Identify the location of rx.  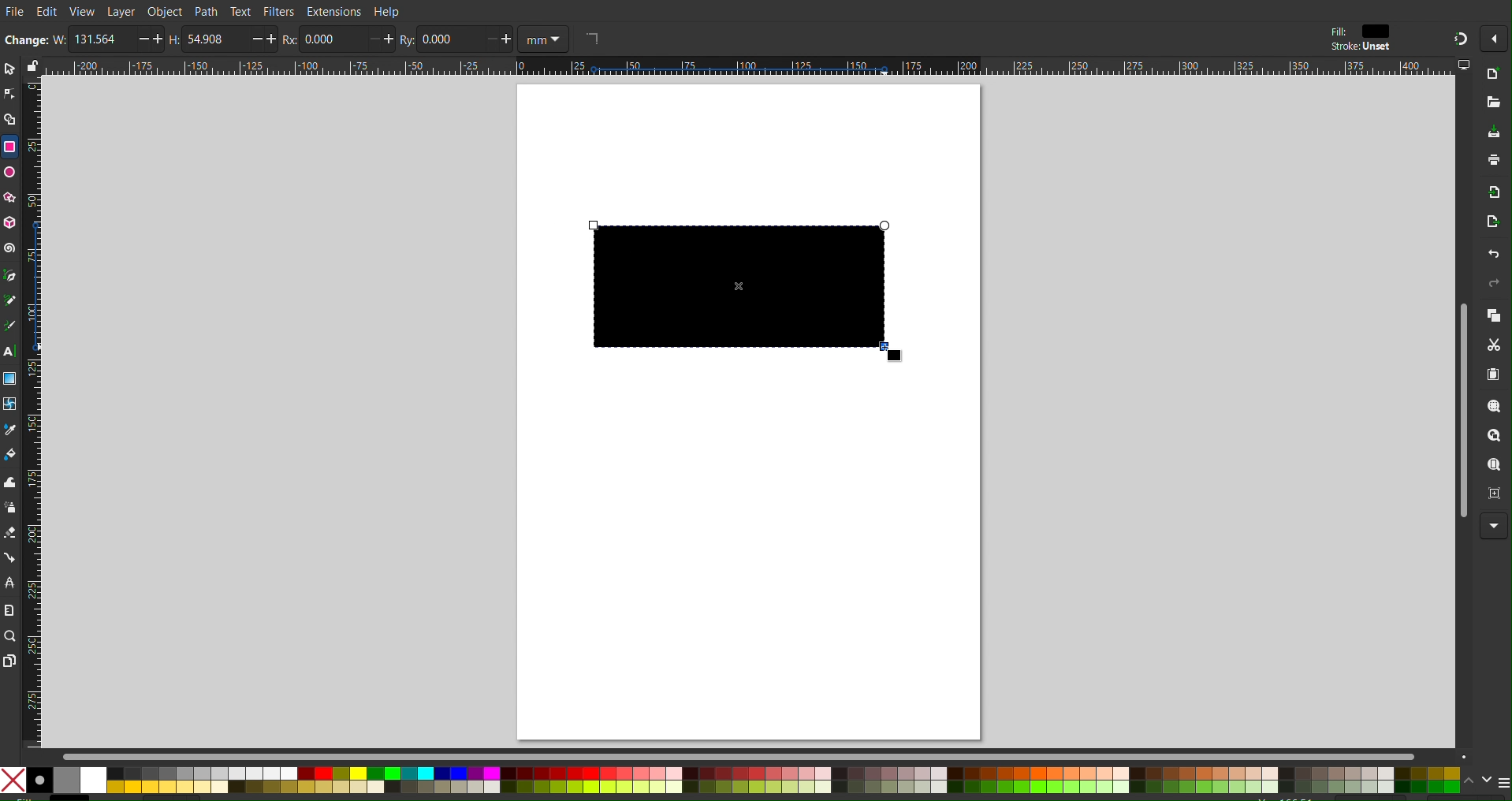
(289, 40).